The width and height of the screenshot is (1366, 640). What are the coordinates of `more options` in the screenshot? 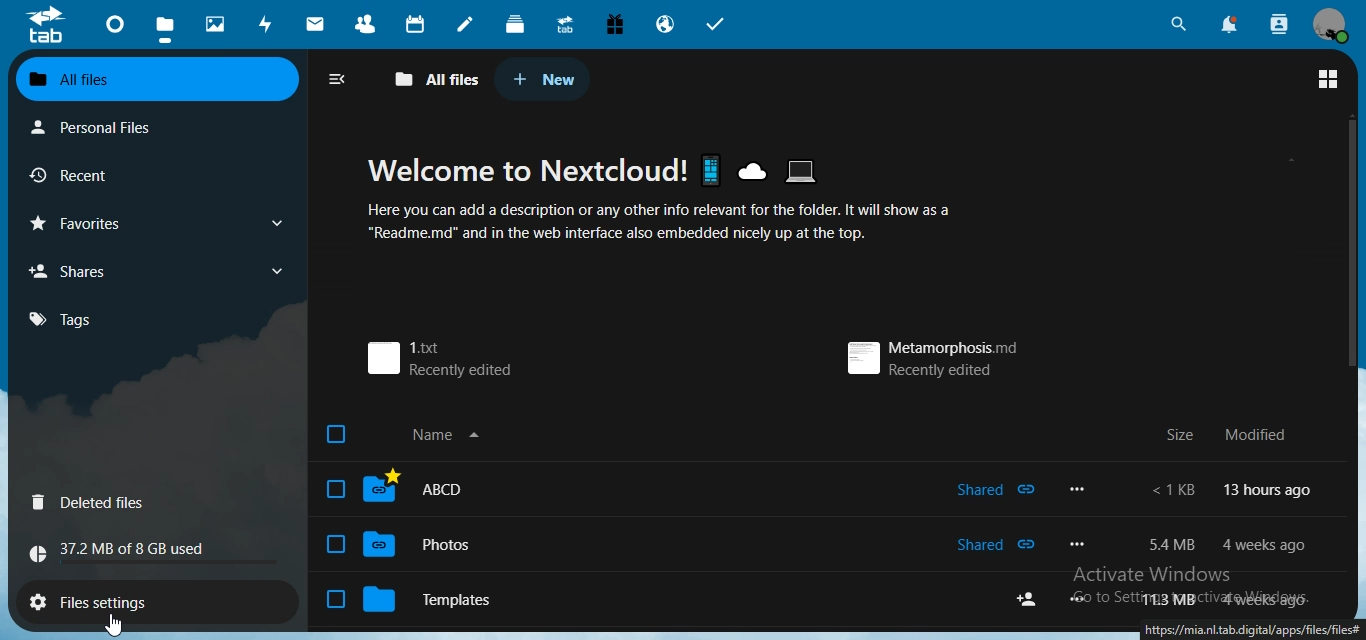 It's located at (1081, 490).